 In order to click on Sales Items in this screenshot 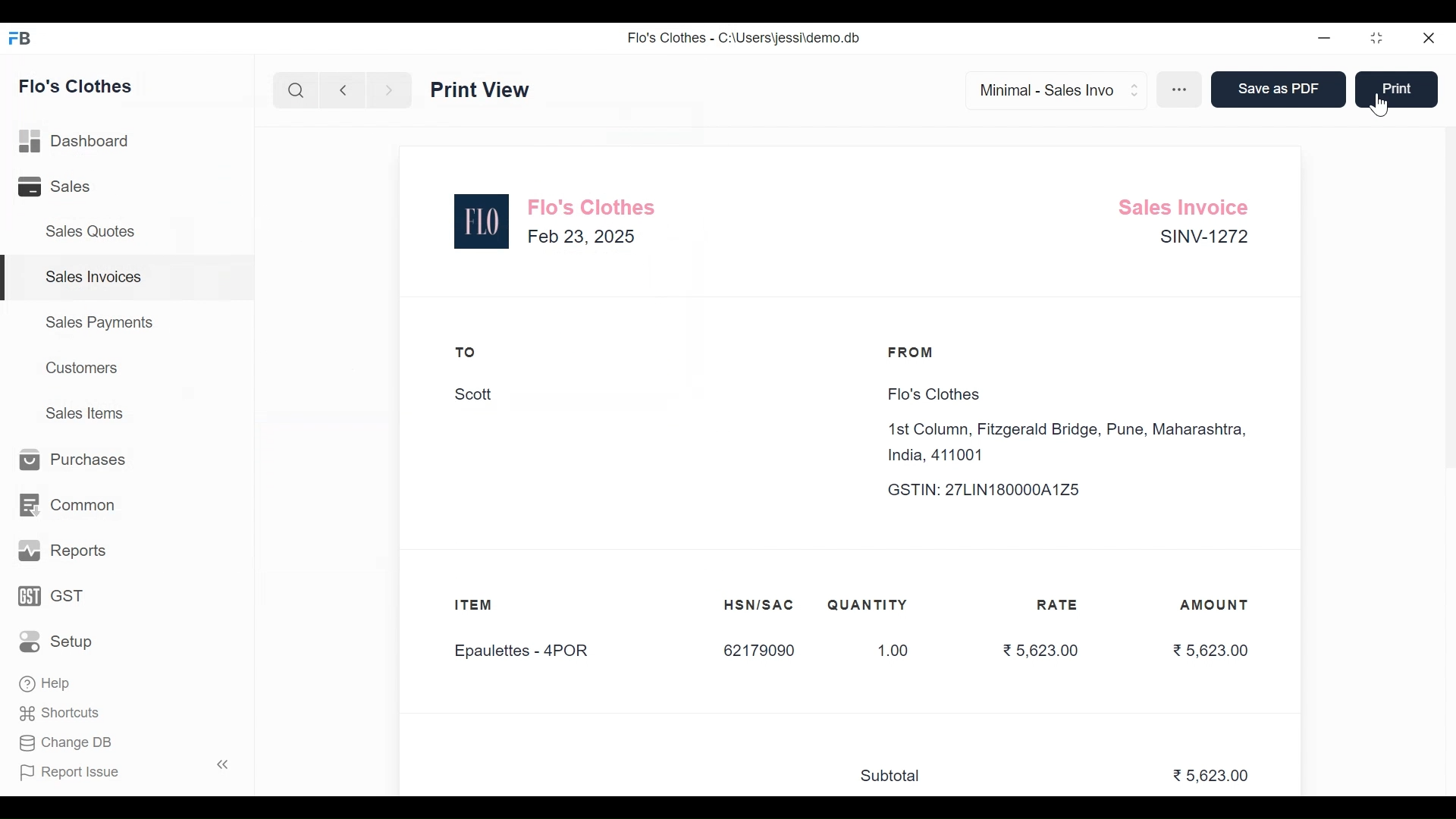, I will do `click(84, 413)`.